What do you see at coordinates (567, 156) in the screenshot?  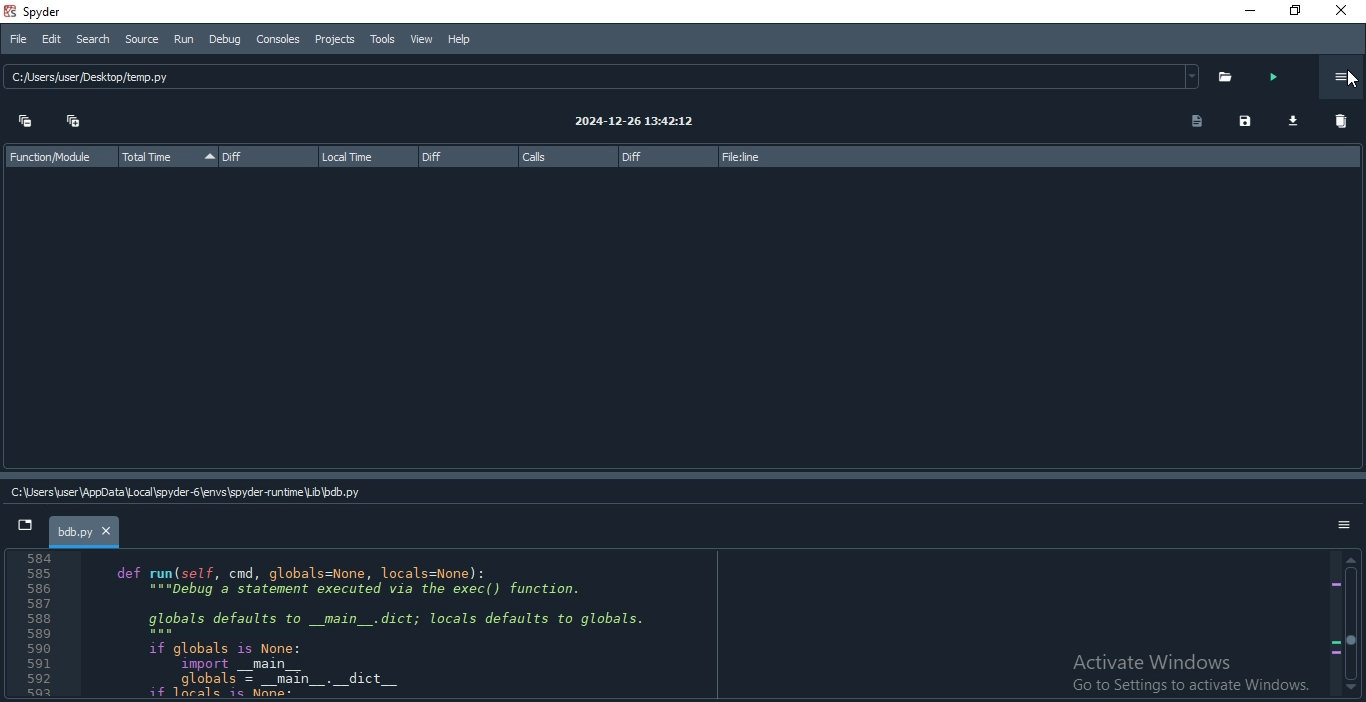 I see `calls` at bounding box center [567, 156].